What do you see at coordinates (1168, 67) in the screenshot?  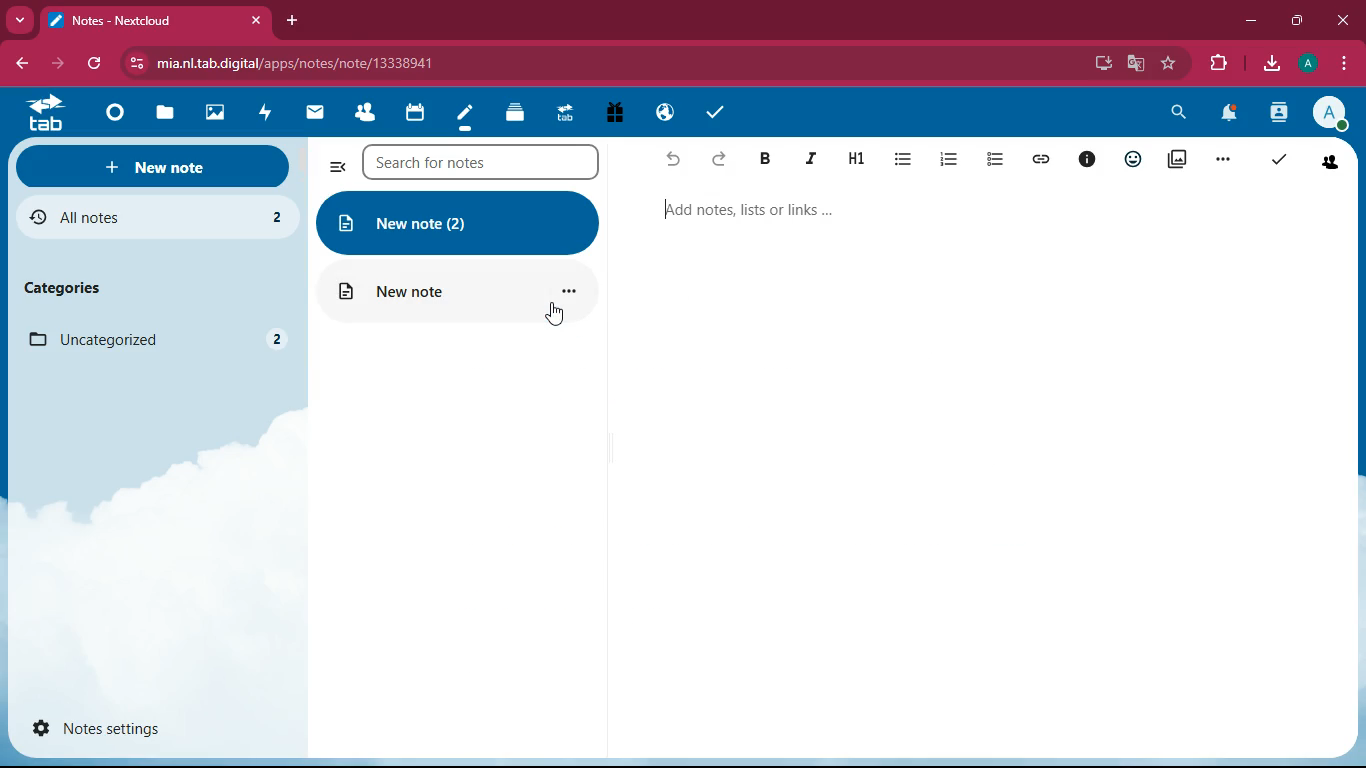 I see `favorite` at bounding box center [1168, 67].